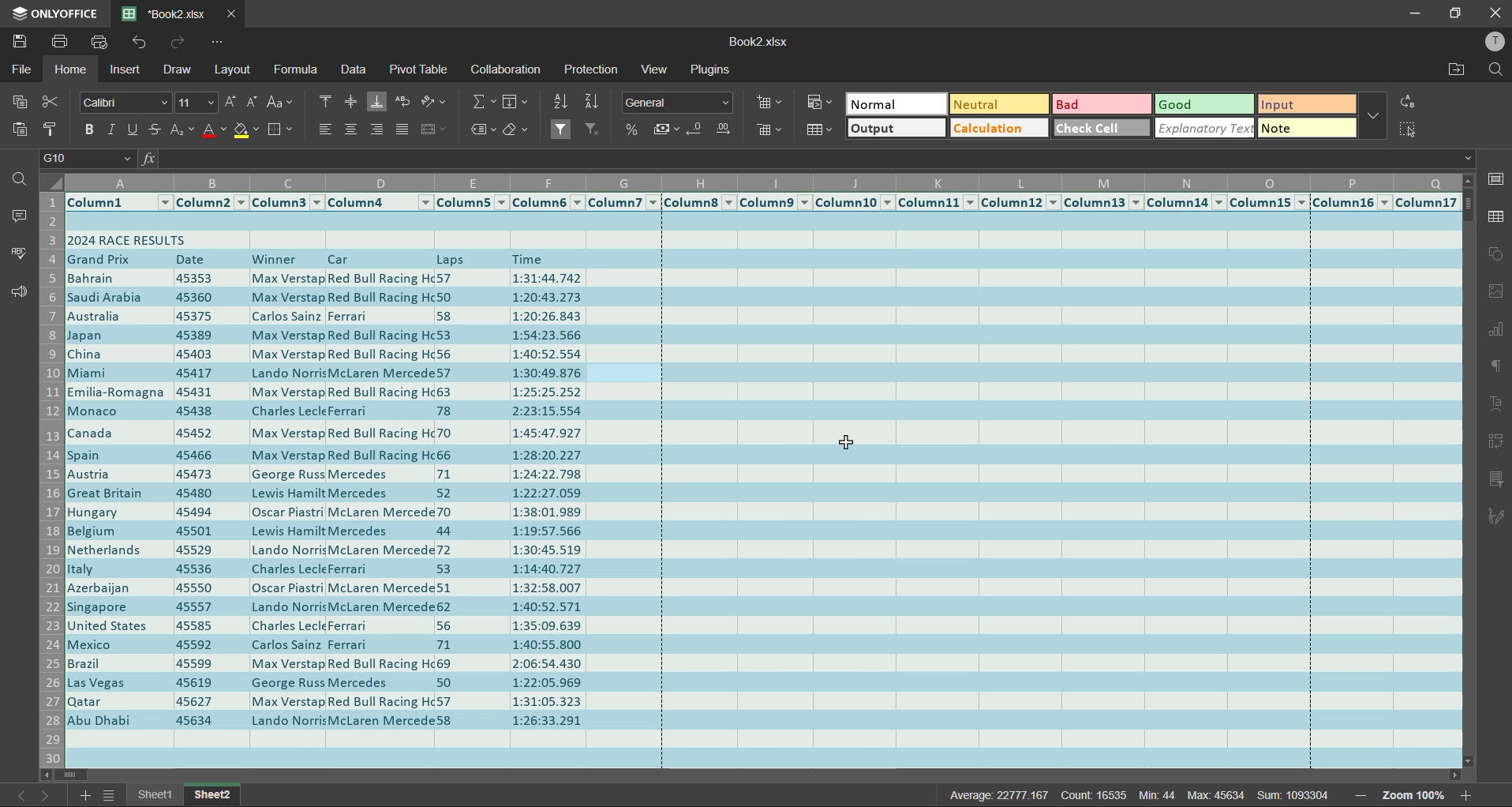  What do you see at coordinates (518, 132) in the screenshot?
I see `clear` at bounding box center [518, 132].